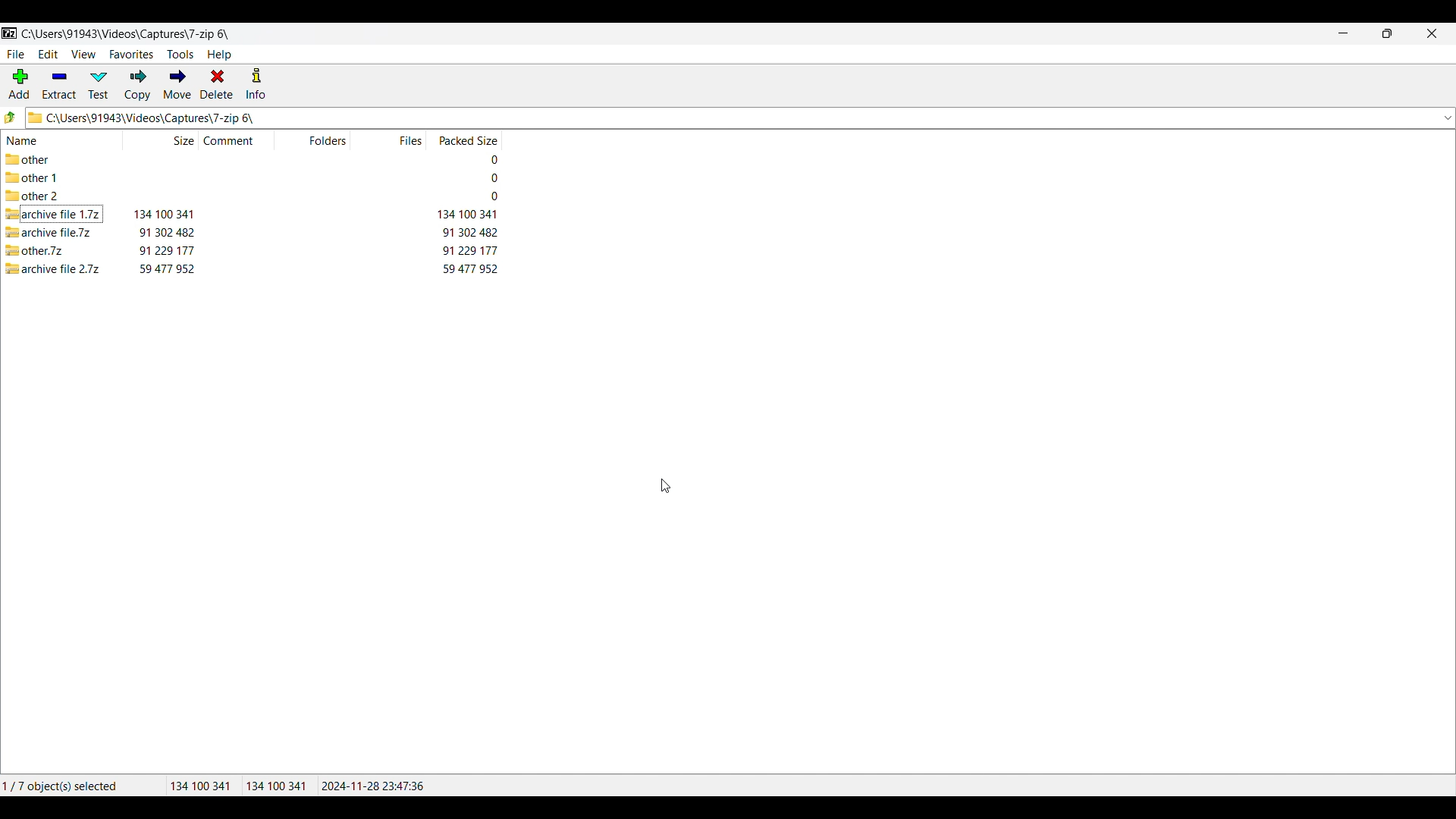 The width and height of the screenshot is (1456, 819). I want to click on Copy, so click(137, 85).